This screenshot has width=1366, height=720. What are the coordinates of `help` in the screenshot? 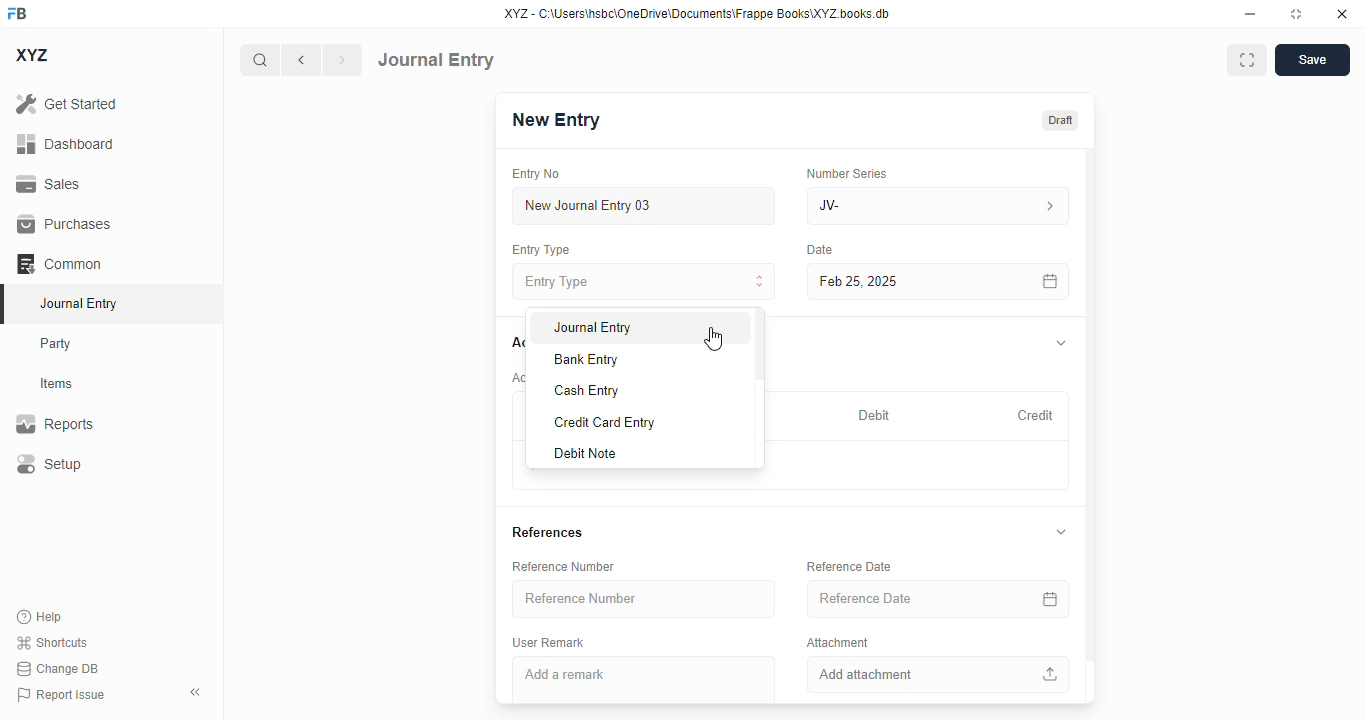 It's located at (40, 617).